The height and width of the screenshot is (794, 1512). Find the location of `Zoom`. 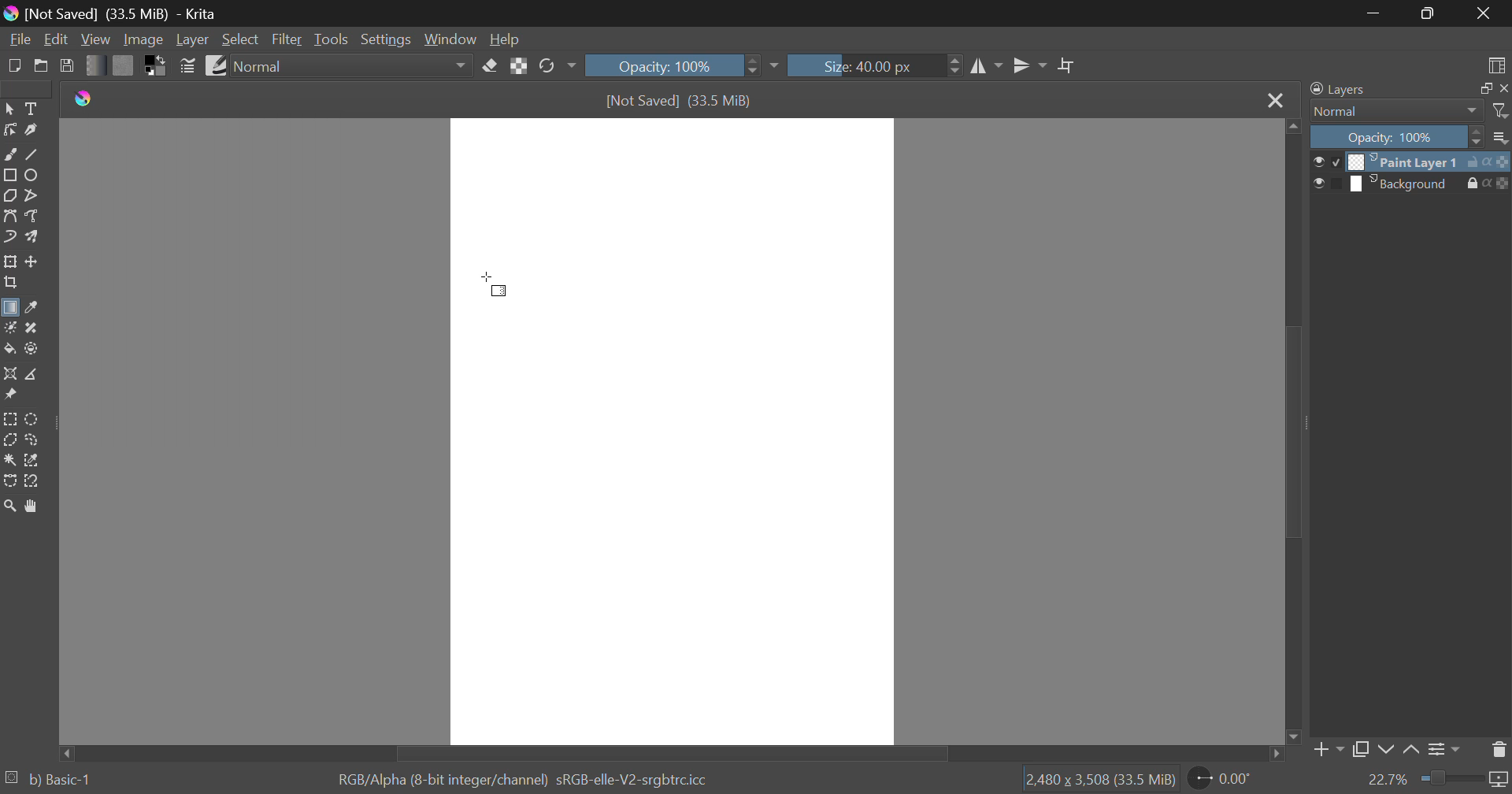

Zoom is located at coordinates (9, 506).